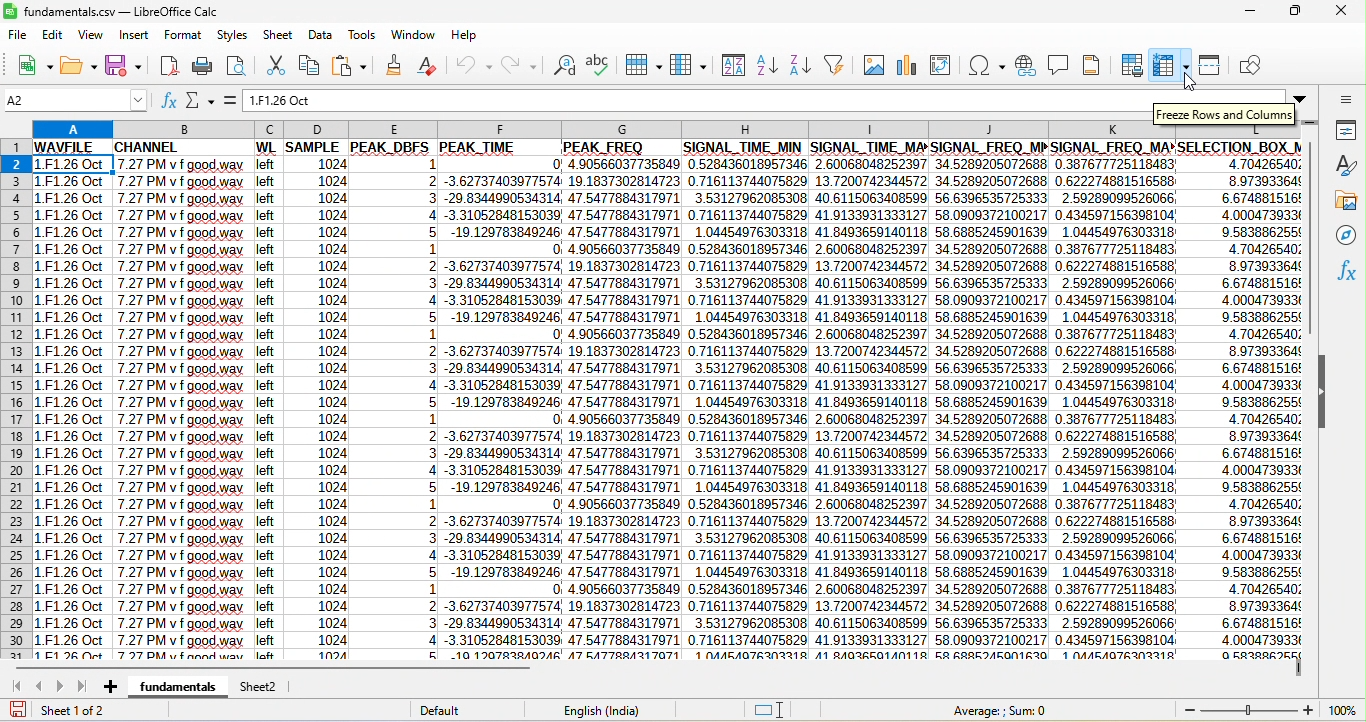  I want to click on average, sum =0, so click(1009, 709).